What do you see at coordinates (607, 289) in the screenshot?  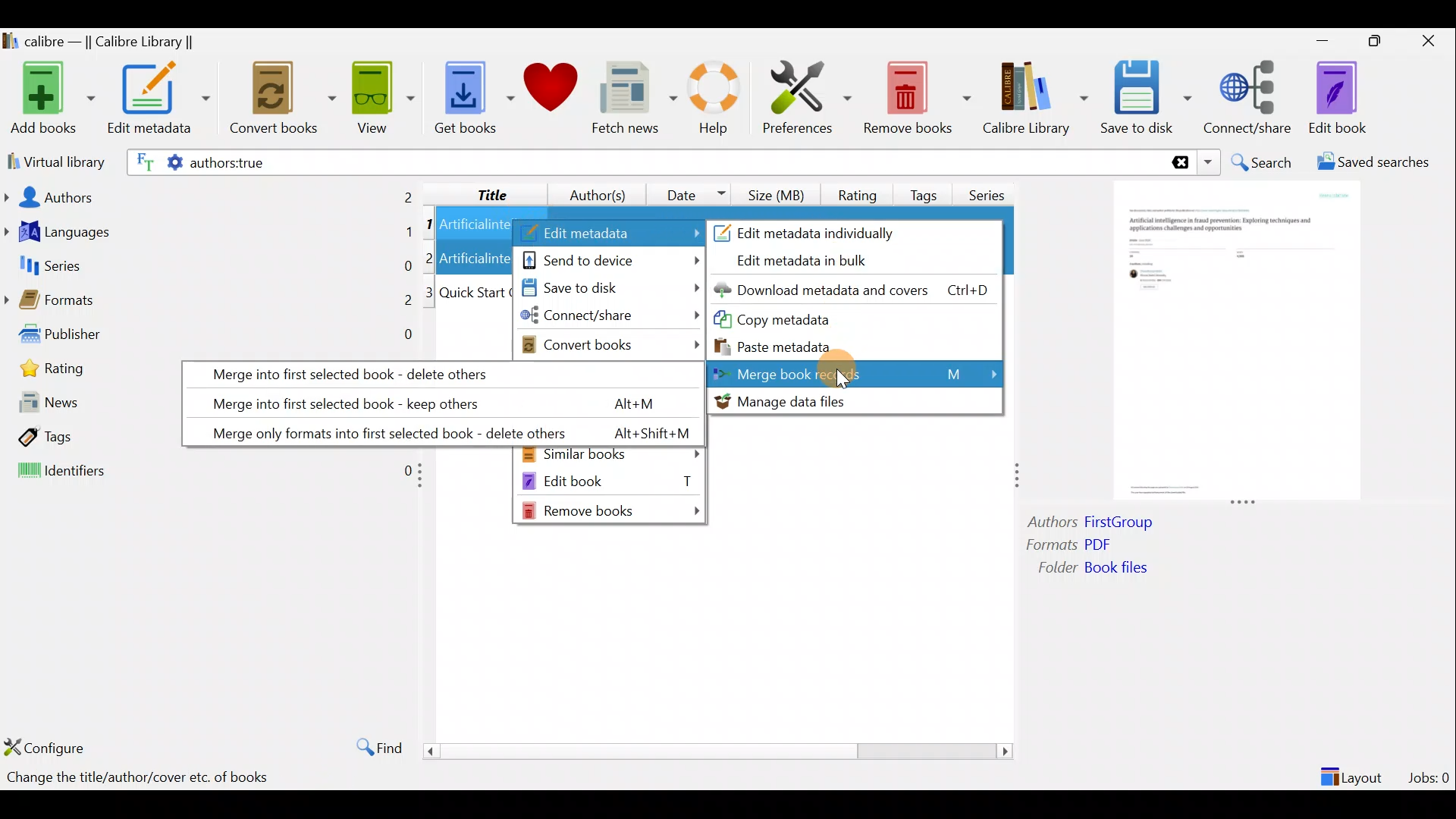 I see `Save to disk` at bounding box center [607, 289].